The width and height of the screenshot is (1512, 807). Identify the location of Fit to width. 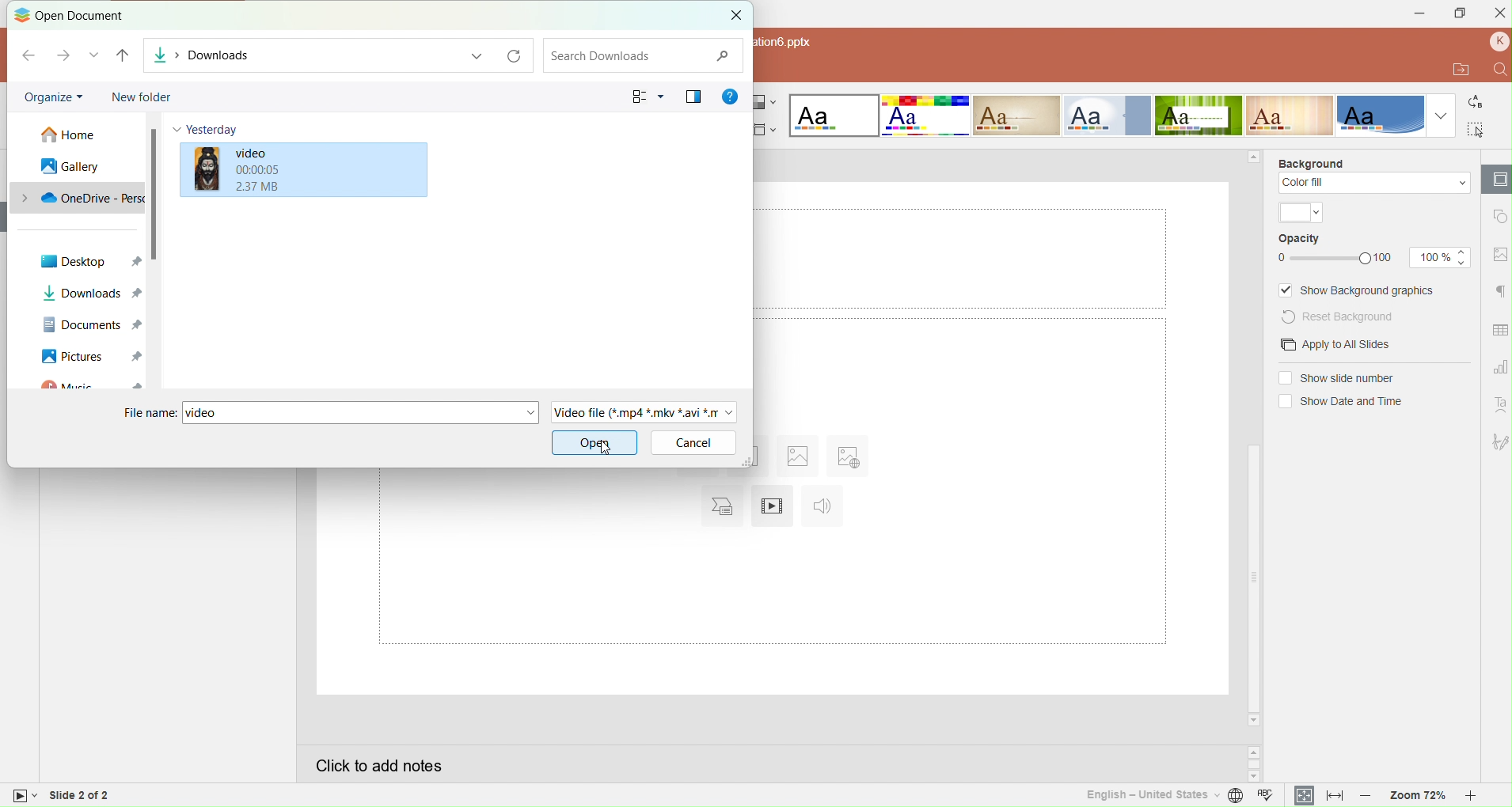
(1332, 795).